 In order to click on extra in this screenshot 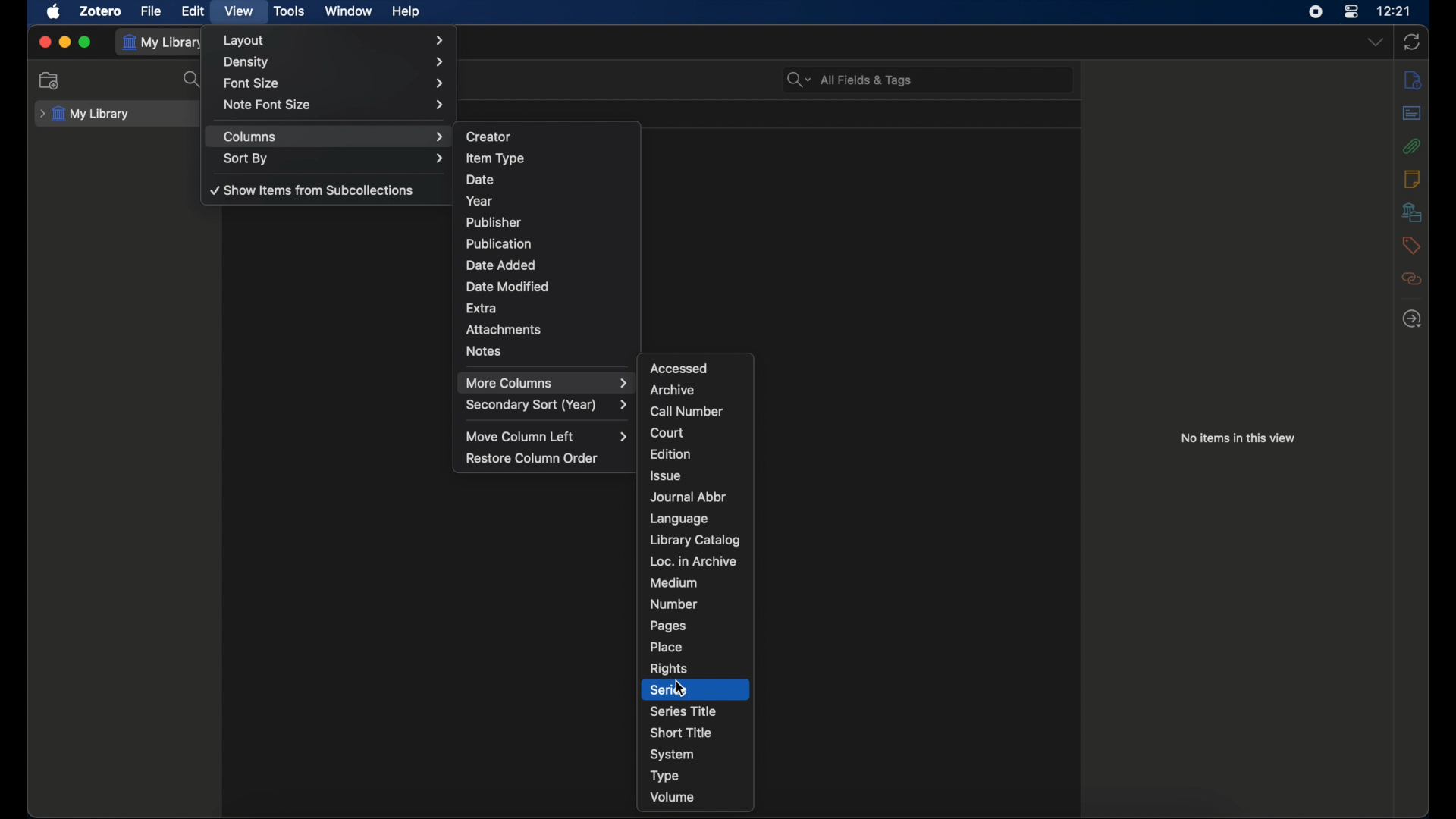, I will do `click(481, 309)`.